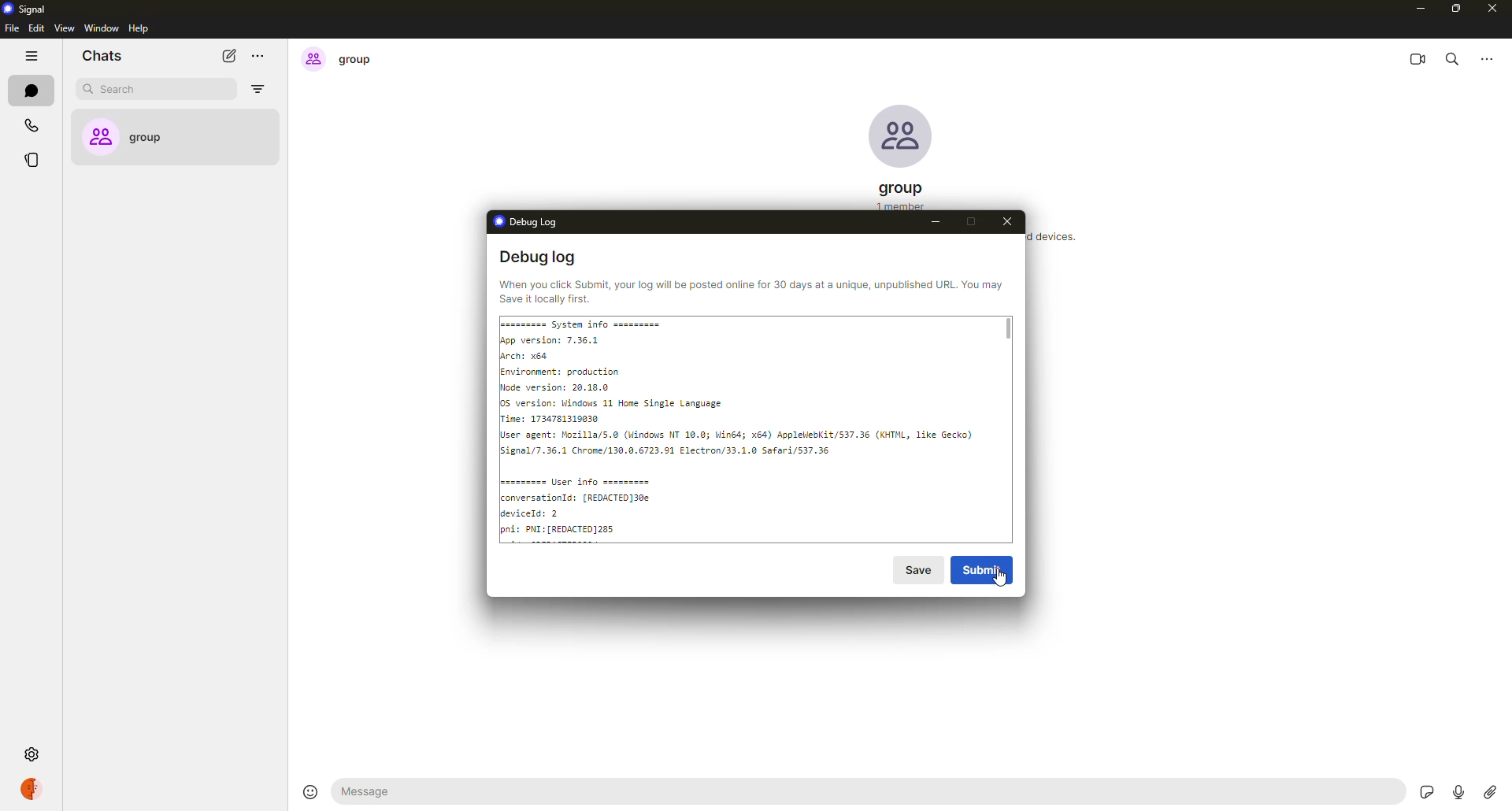 The height and width of the screenshot is (811, 1512). What do you see at coordinates (750, 427) in the screenshot?
I see `log` at bounding box center [750, 427].